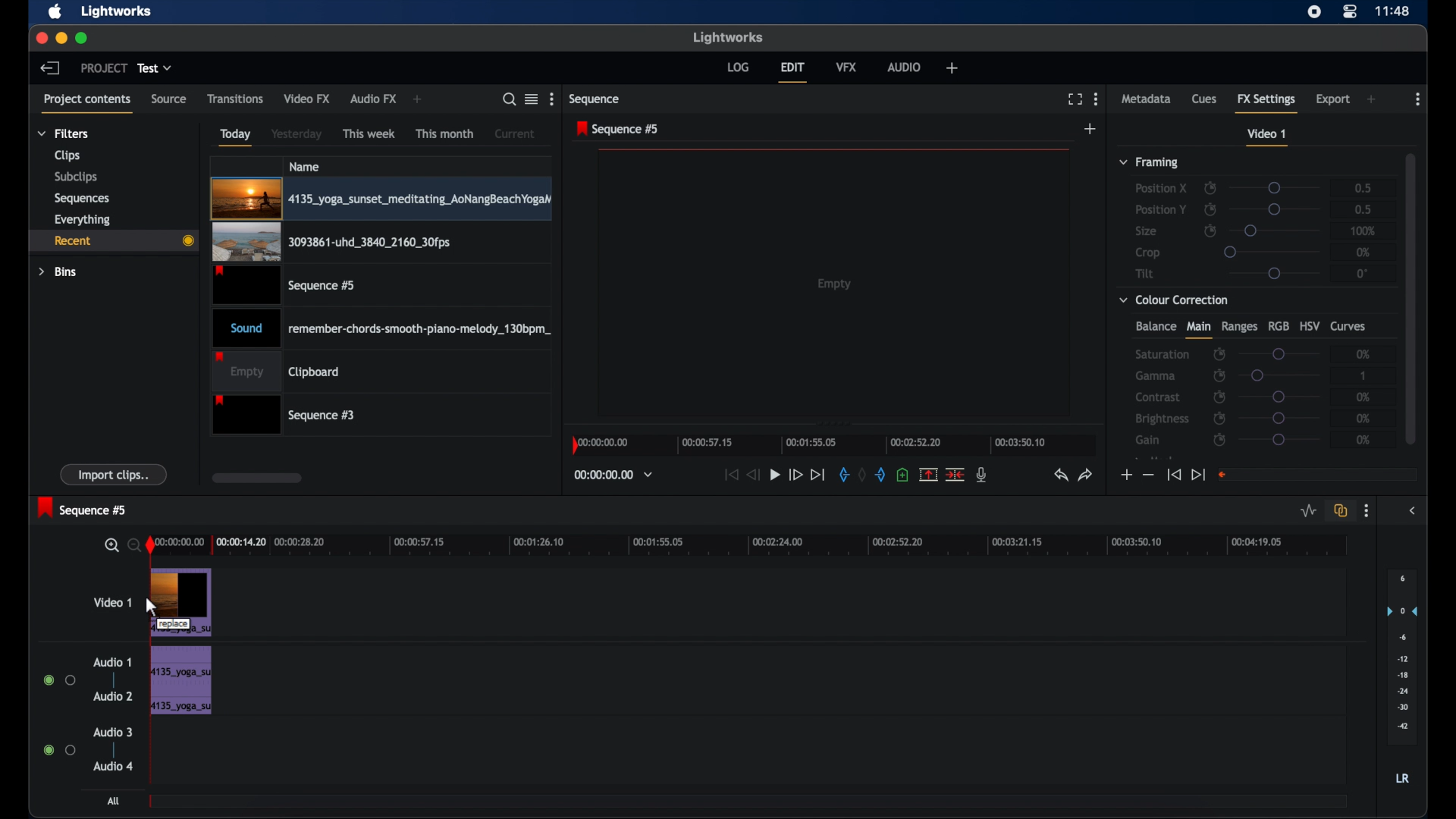 The width and height of the screenshot is (1456, 819). Describe the element at coordinates (1219, 418) in the screenshot. I see `enable/disable keyframes` at that location.